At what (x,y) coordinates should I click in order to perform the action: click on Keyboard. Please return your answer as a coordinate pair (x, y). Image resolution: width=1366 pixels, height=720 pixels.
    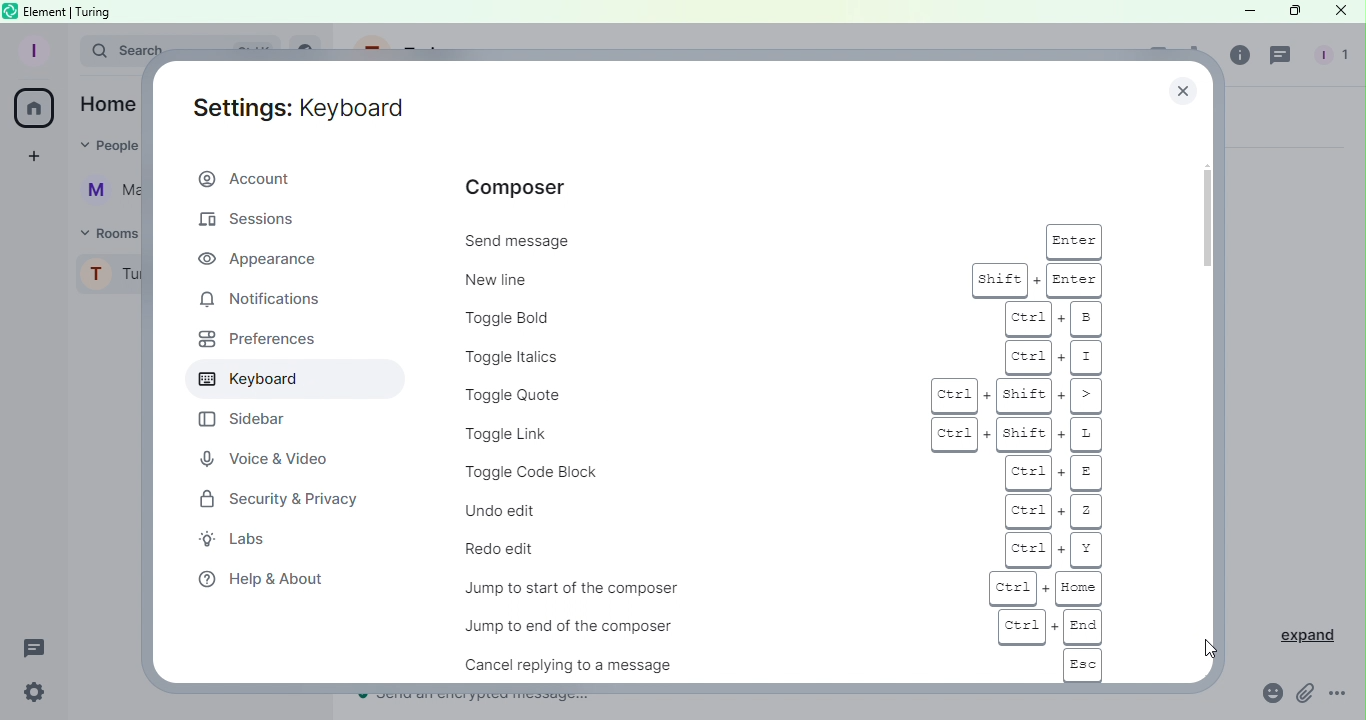
    Looking at the image, I should click on (285, 381).